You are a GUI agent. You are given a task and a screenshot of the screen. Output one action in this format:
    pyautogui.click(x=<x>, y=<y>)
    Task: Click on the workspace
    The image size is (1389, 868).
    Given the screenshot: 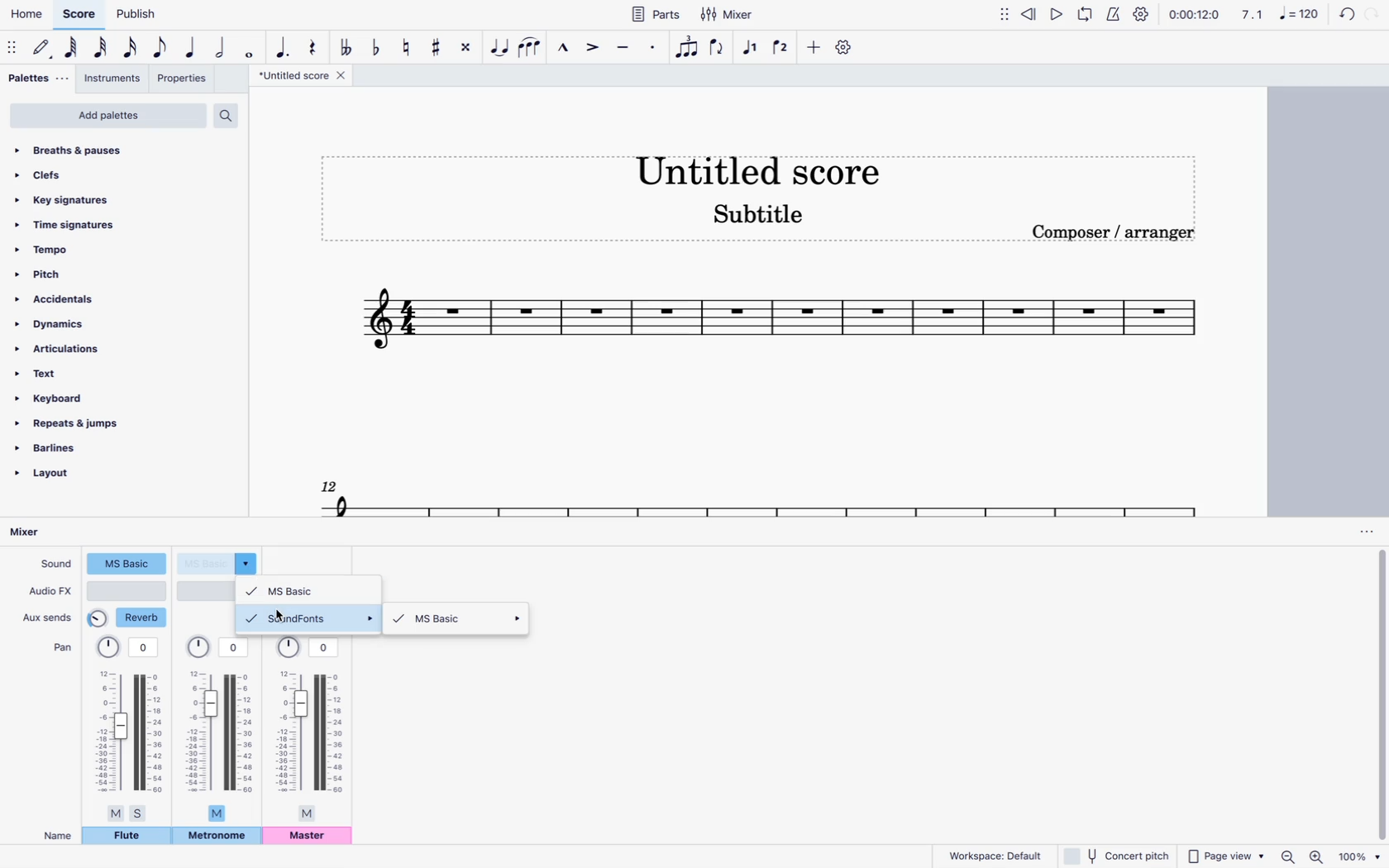 What is the action you would take?
    pyautogui.click(x=995, y=855)
    